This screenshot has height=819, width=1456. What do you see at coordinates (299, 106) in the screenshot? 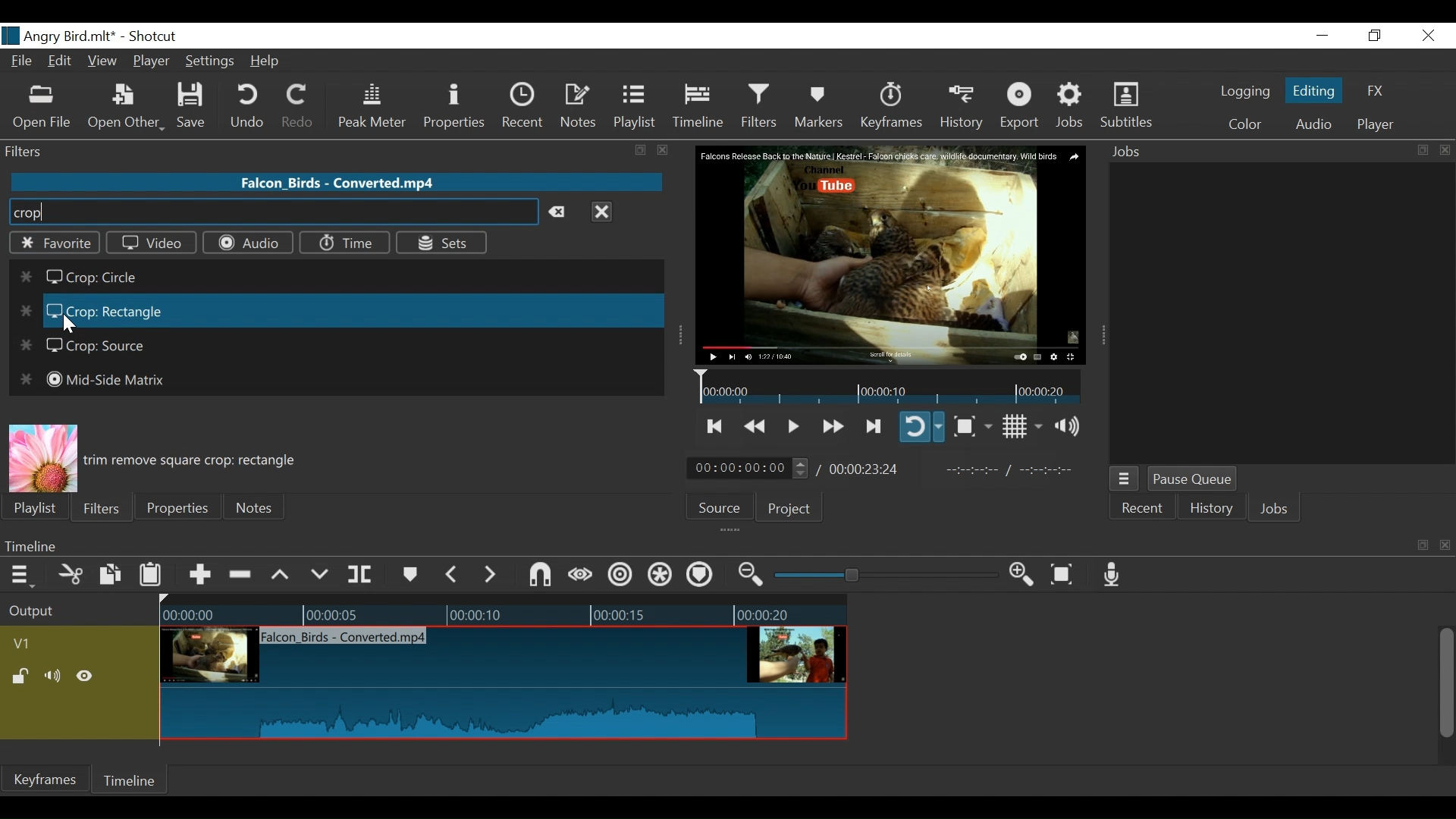
I see `Redo` at bounding box center [299, 106].